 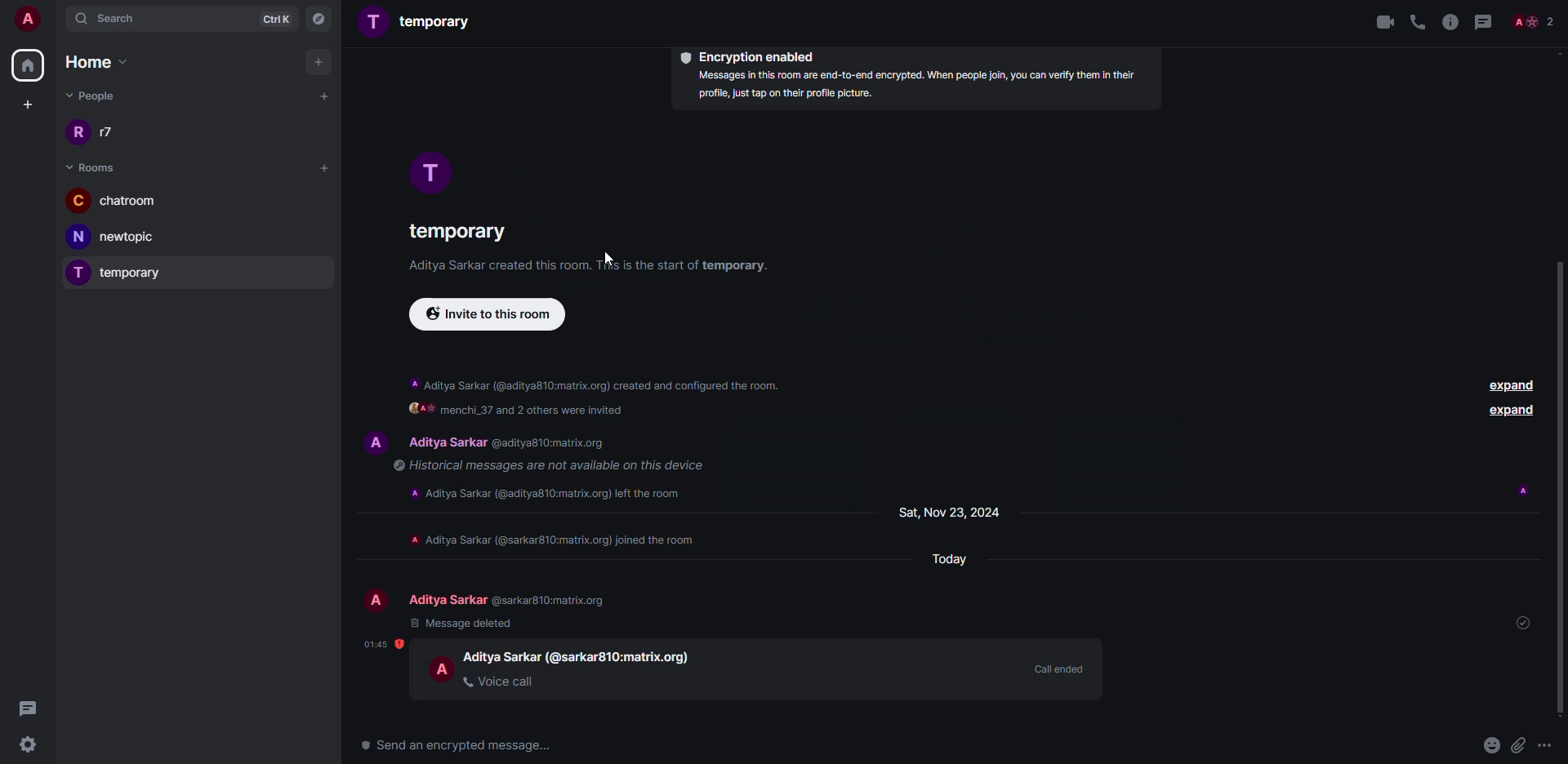 I want to click on emoji, so click(x=1492, y=745).